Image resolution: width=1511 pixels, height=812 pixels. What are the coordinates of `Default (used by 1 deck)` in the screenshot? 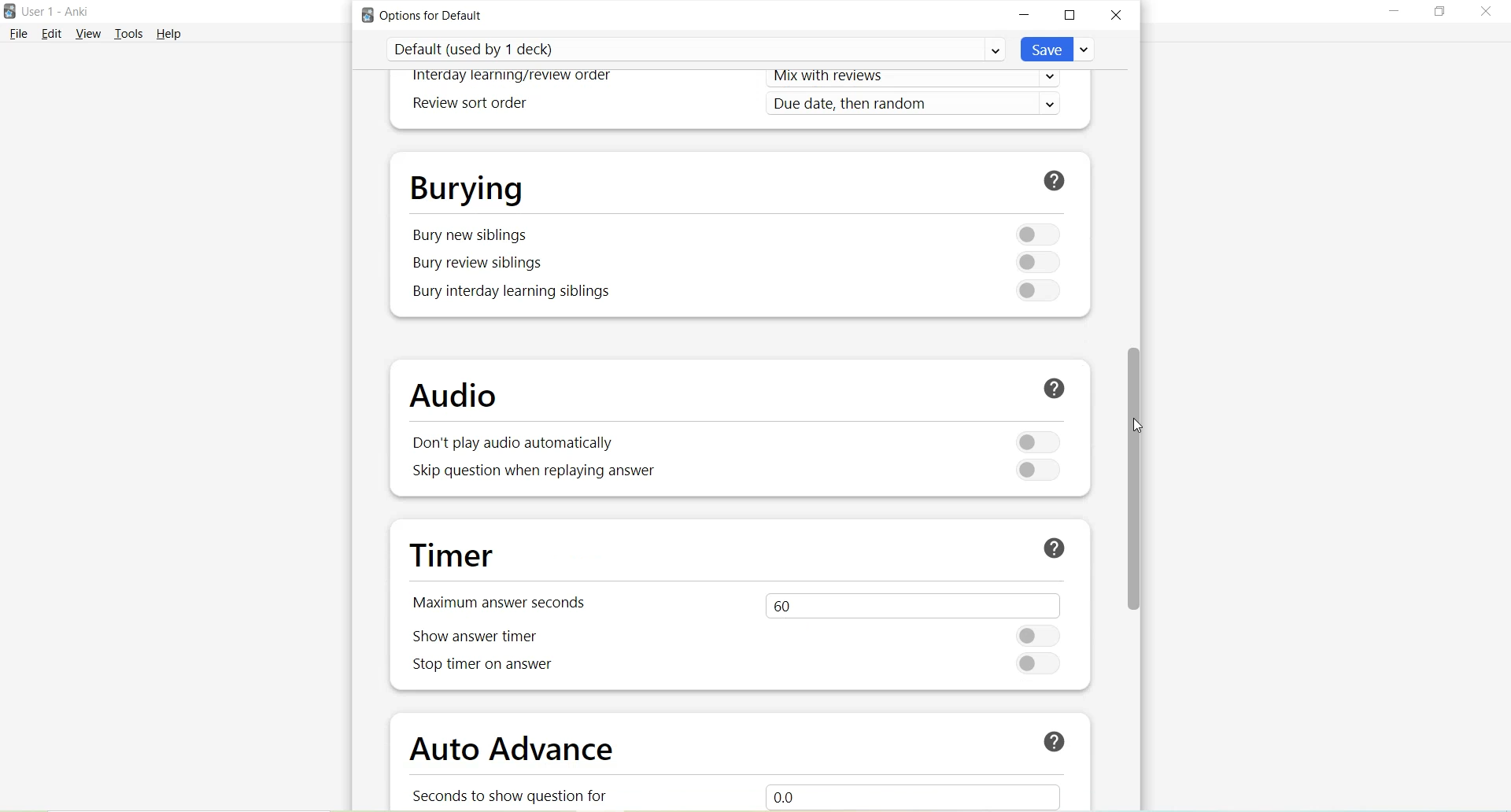 It's located at (696, 49).